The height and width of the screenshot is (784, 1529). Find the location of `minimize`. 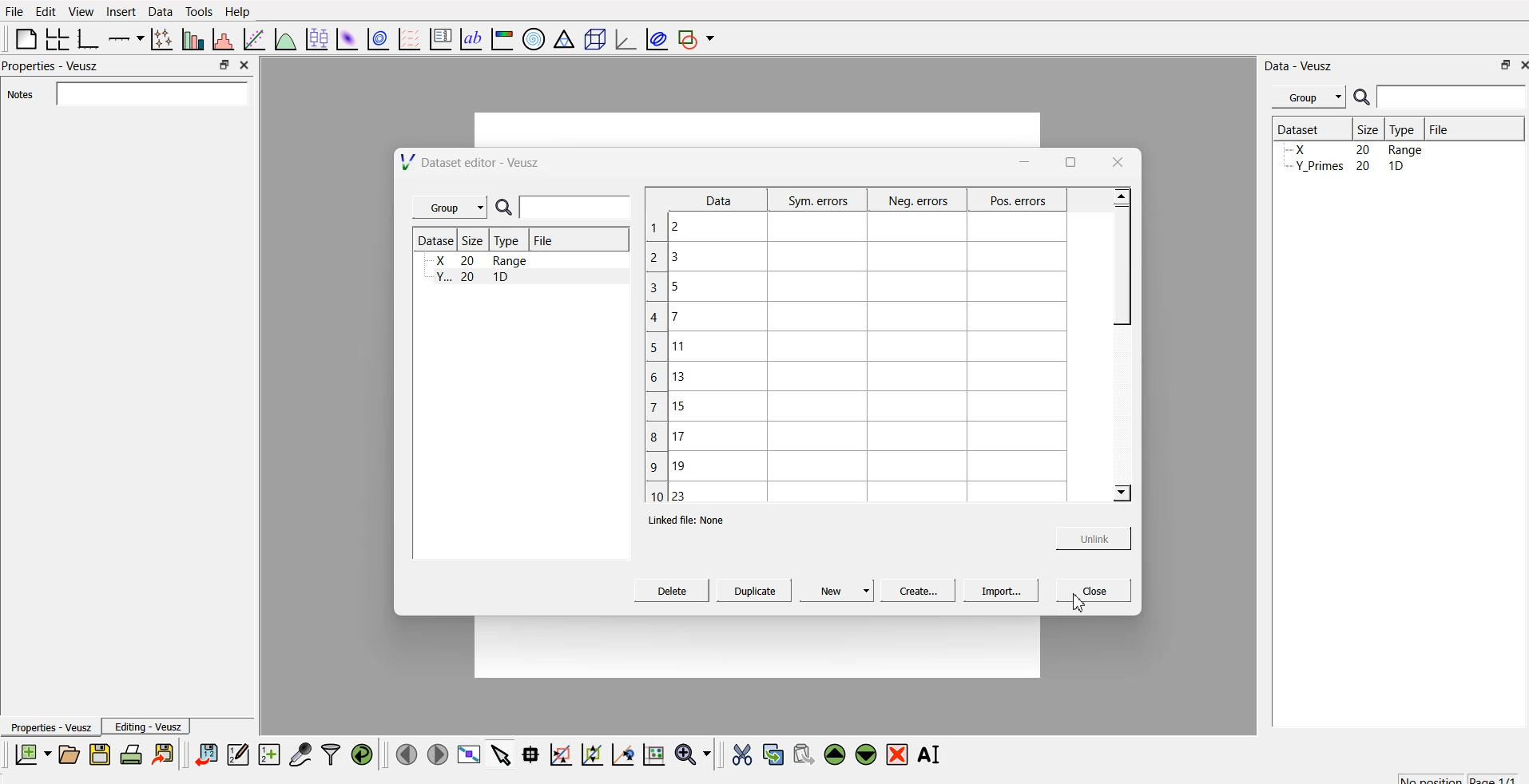

minimize is located at coordinates (1022, 162).